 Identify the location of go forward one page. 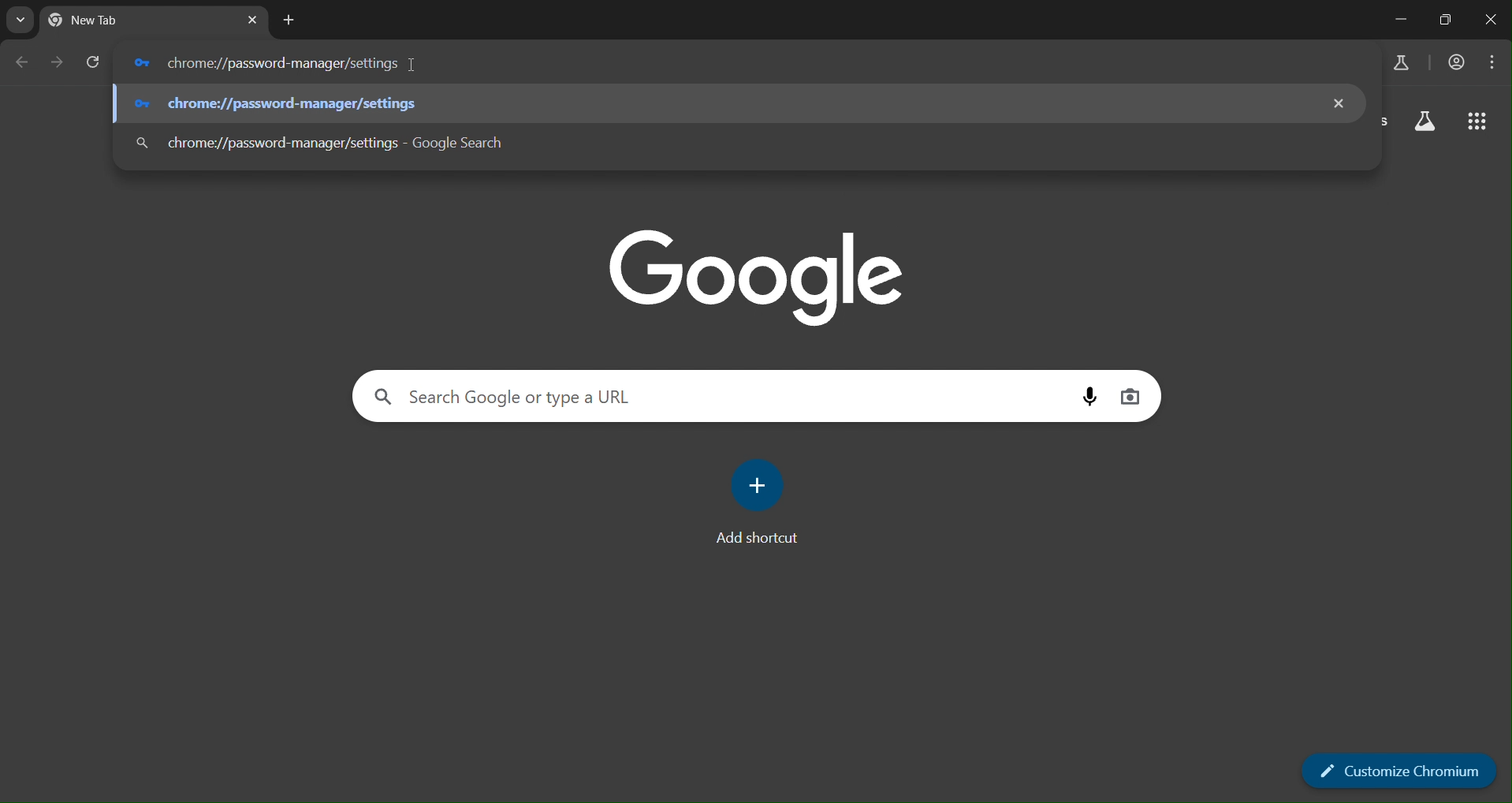
(58, 65).